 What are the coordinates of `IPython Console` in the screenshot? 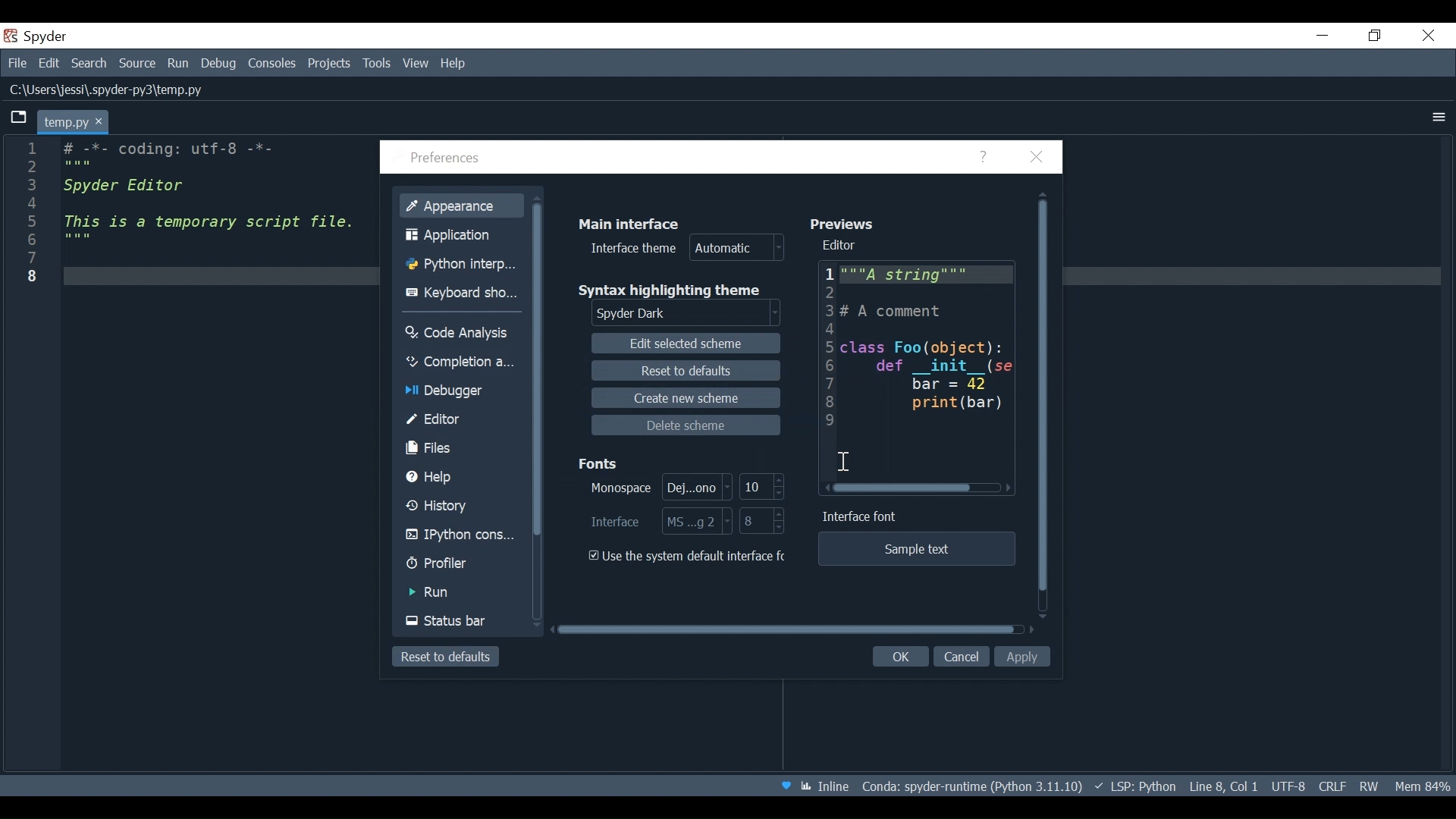 It's located at (461, 537).